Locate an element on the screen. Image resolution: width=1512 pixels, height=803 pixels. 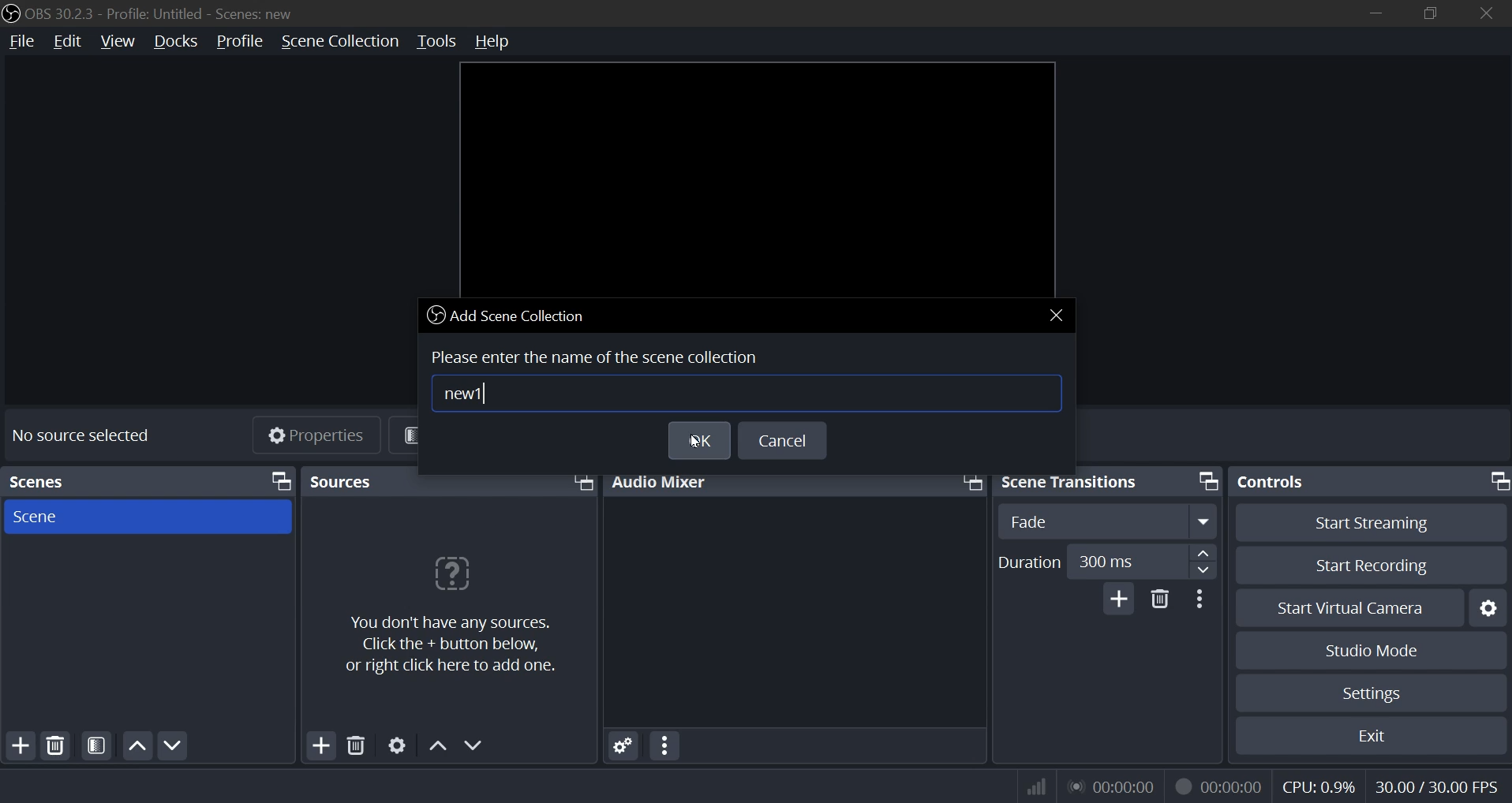
fade is located at coordinates (1030, 521).